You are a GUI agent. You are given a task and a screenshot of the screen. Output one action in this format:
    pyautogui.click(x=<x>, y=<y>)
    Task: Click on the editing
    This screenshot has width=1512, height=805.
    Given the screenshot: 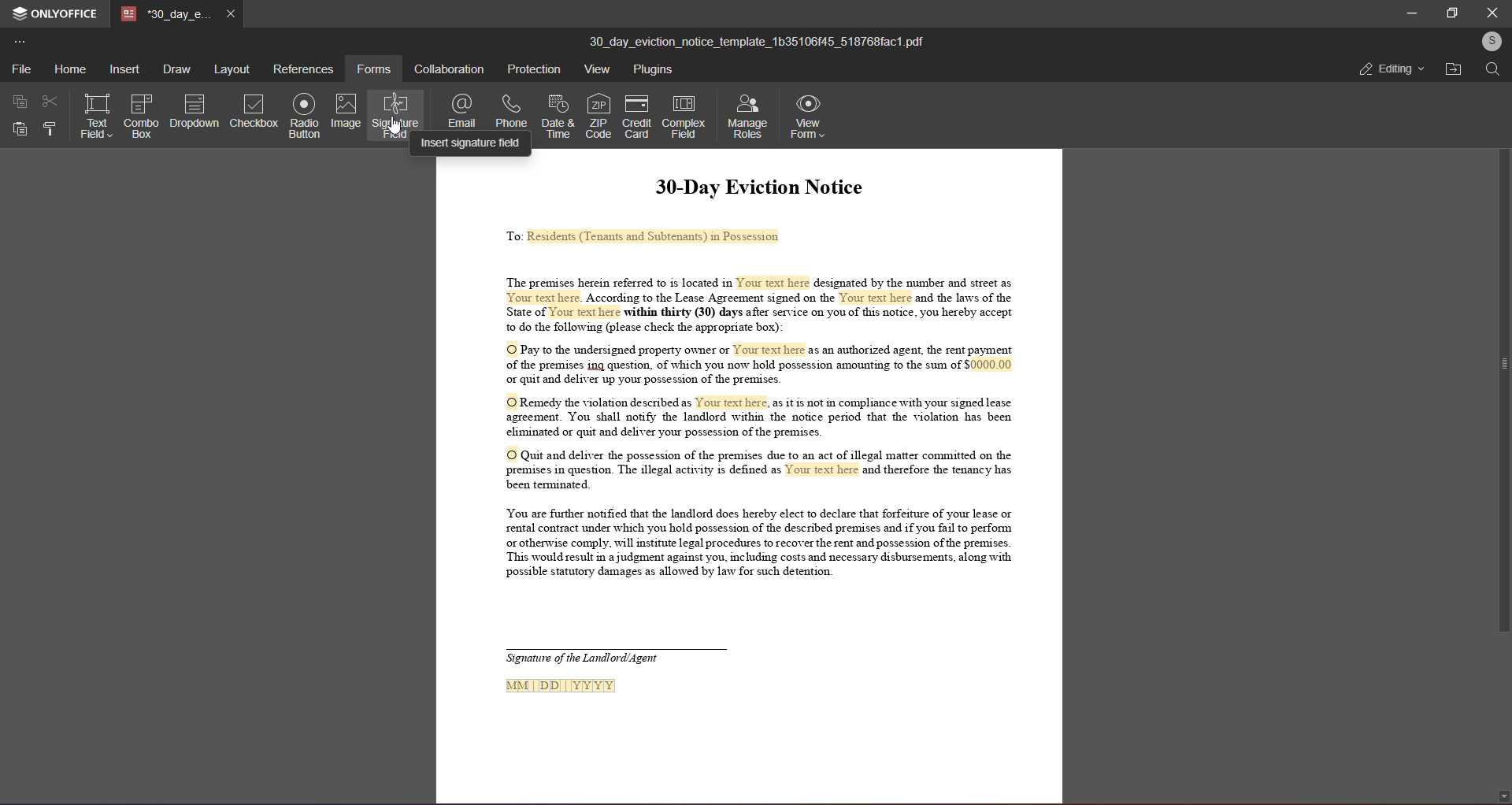 What is the action you would take?
    pyautogui.click(x=1390, y=70)
    